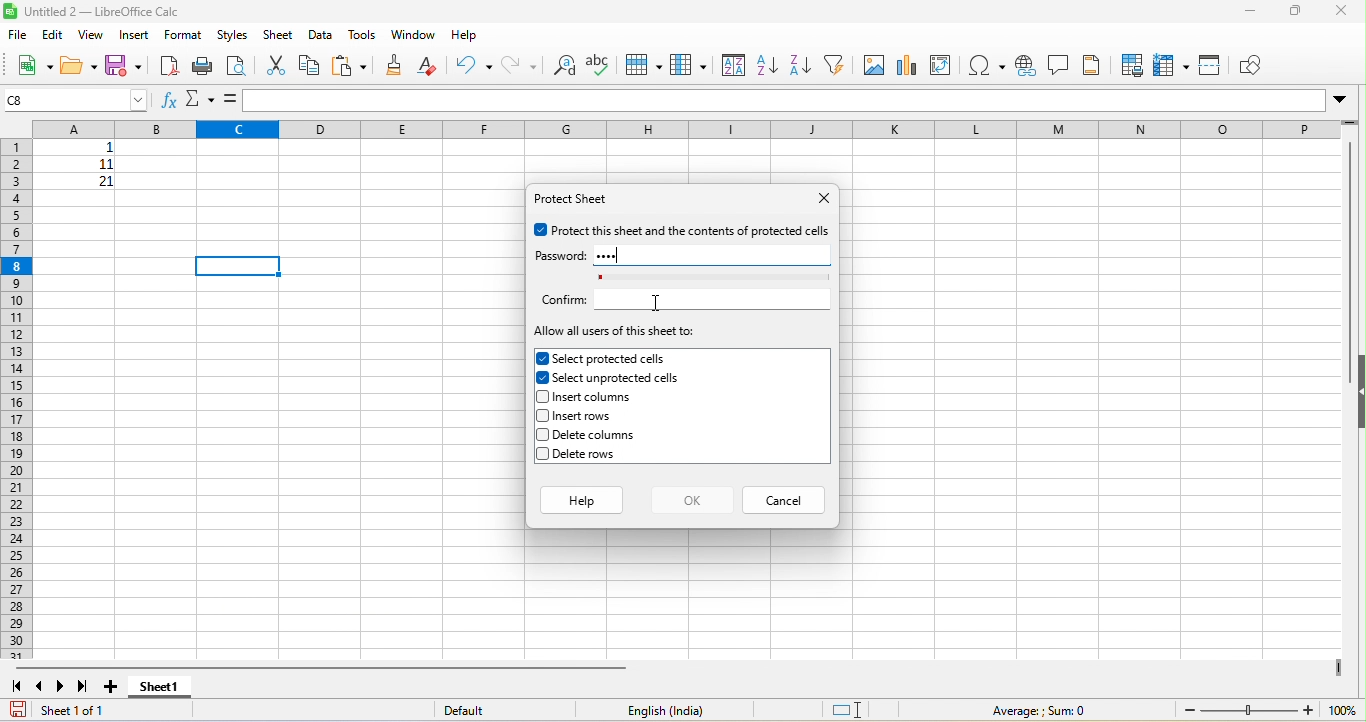  I want to click on sheet 1 of 1, so click(78, 711).